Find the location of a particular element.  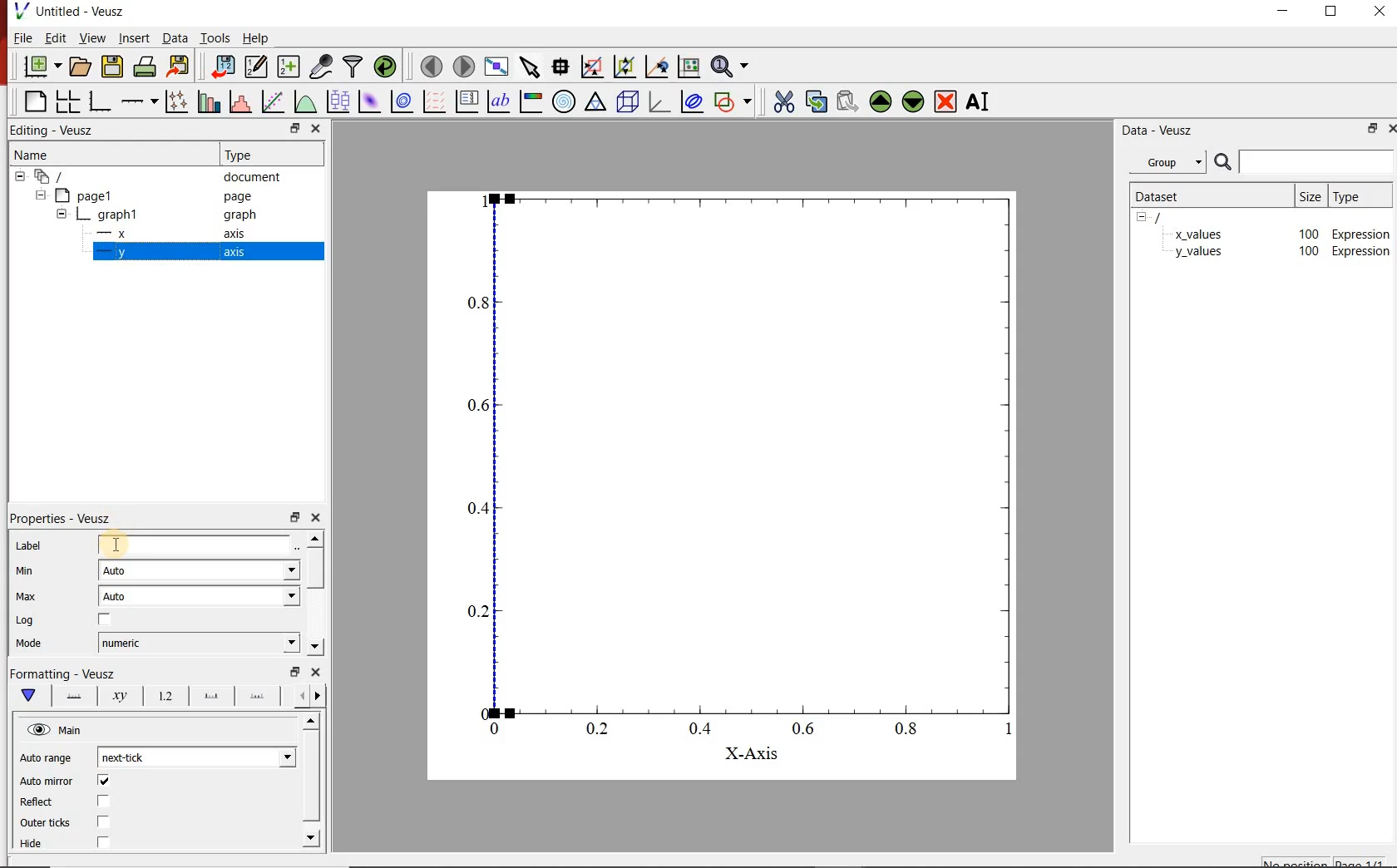

—-—y is located at coordinates (111, 253).